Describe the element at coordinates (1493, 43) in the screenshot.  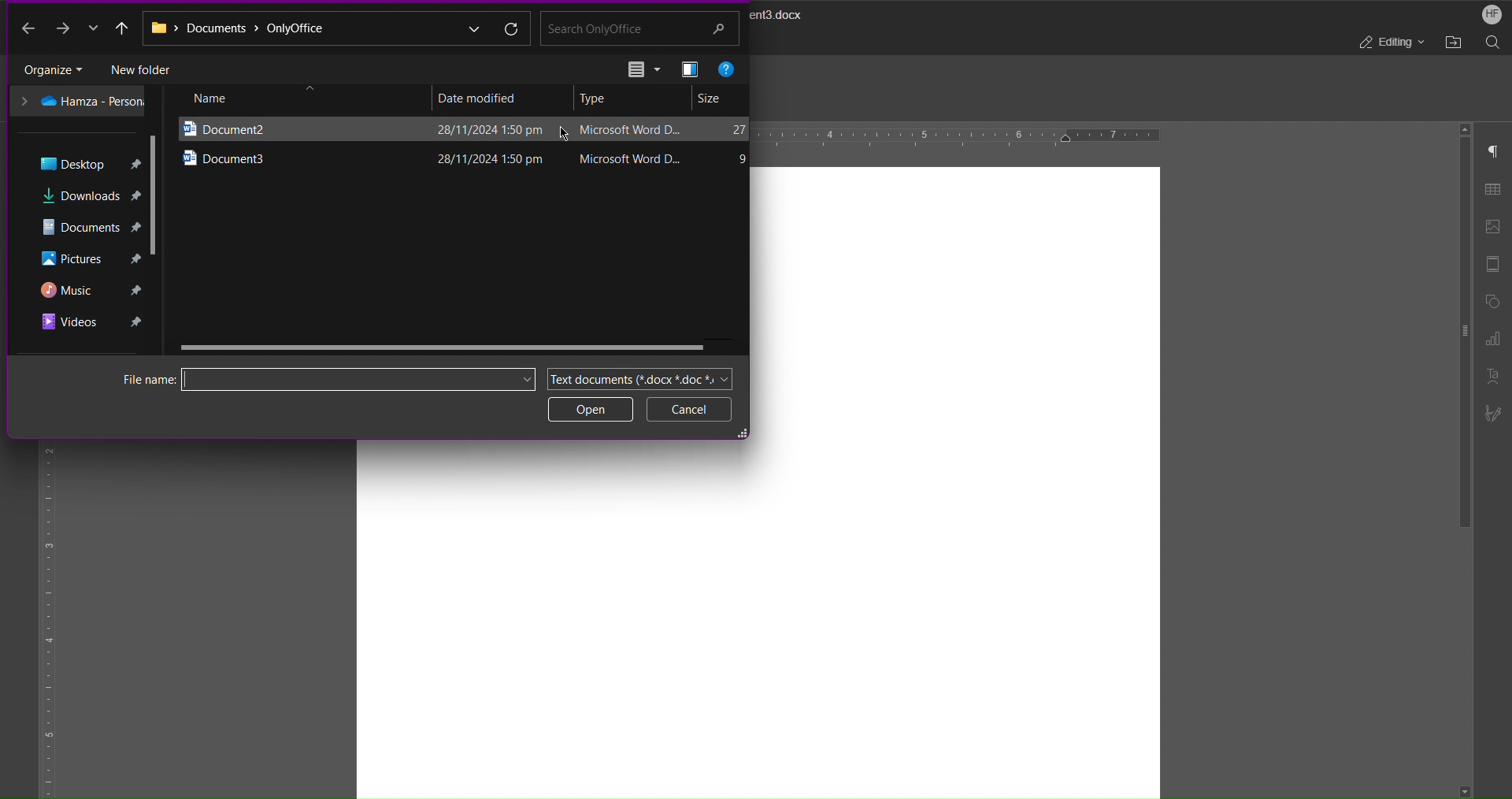
I see `Search` at that location.